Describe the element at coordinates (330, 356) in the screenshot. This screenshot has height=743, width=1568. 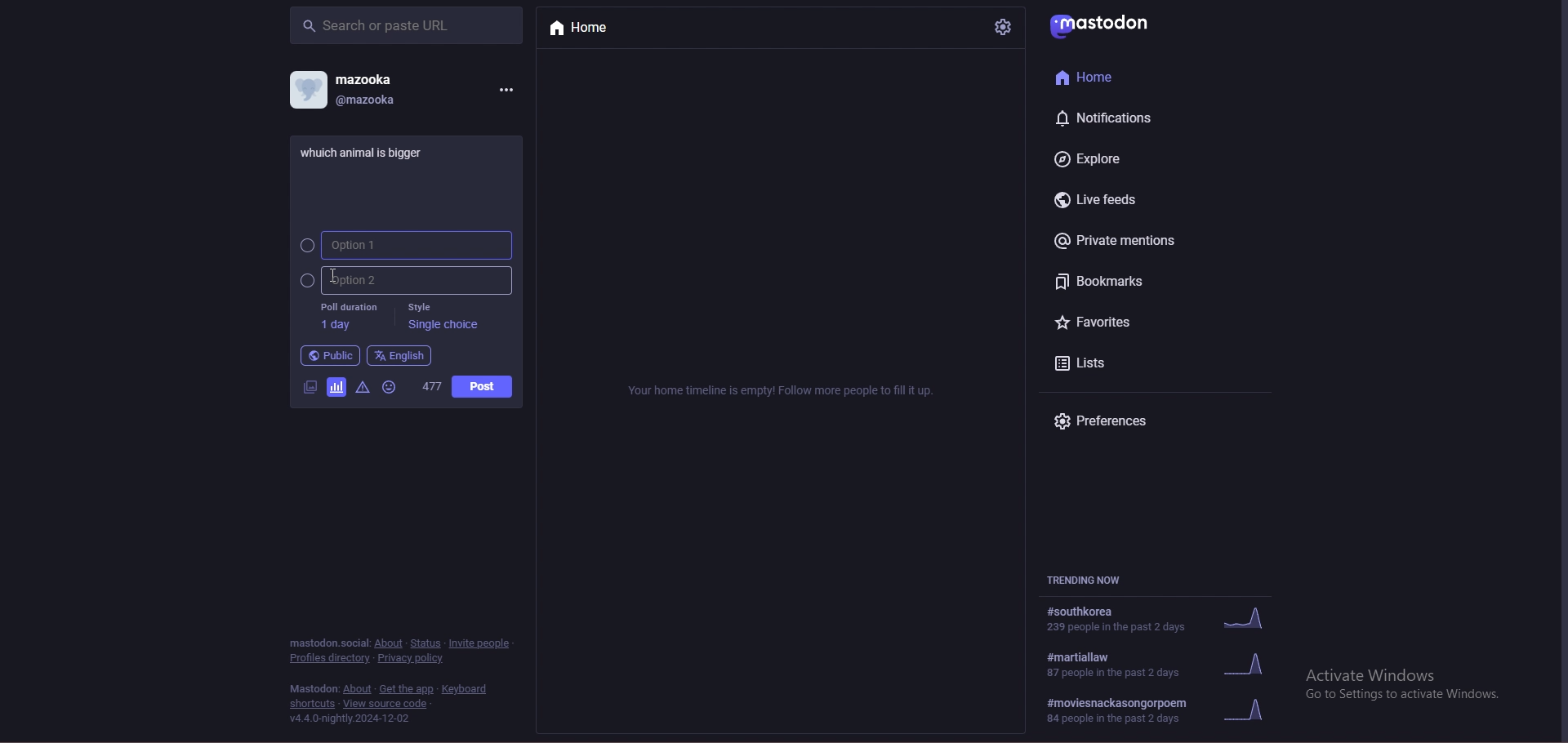
I see `public` at that location.